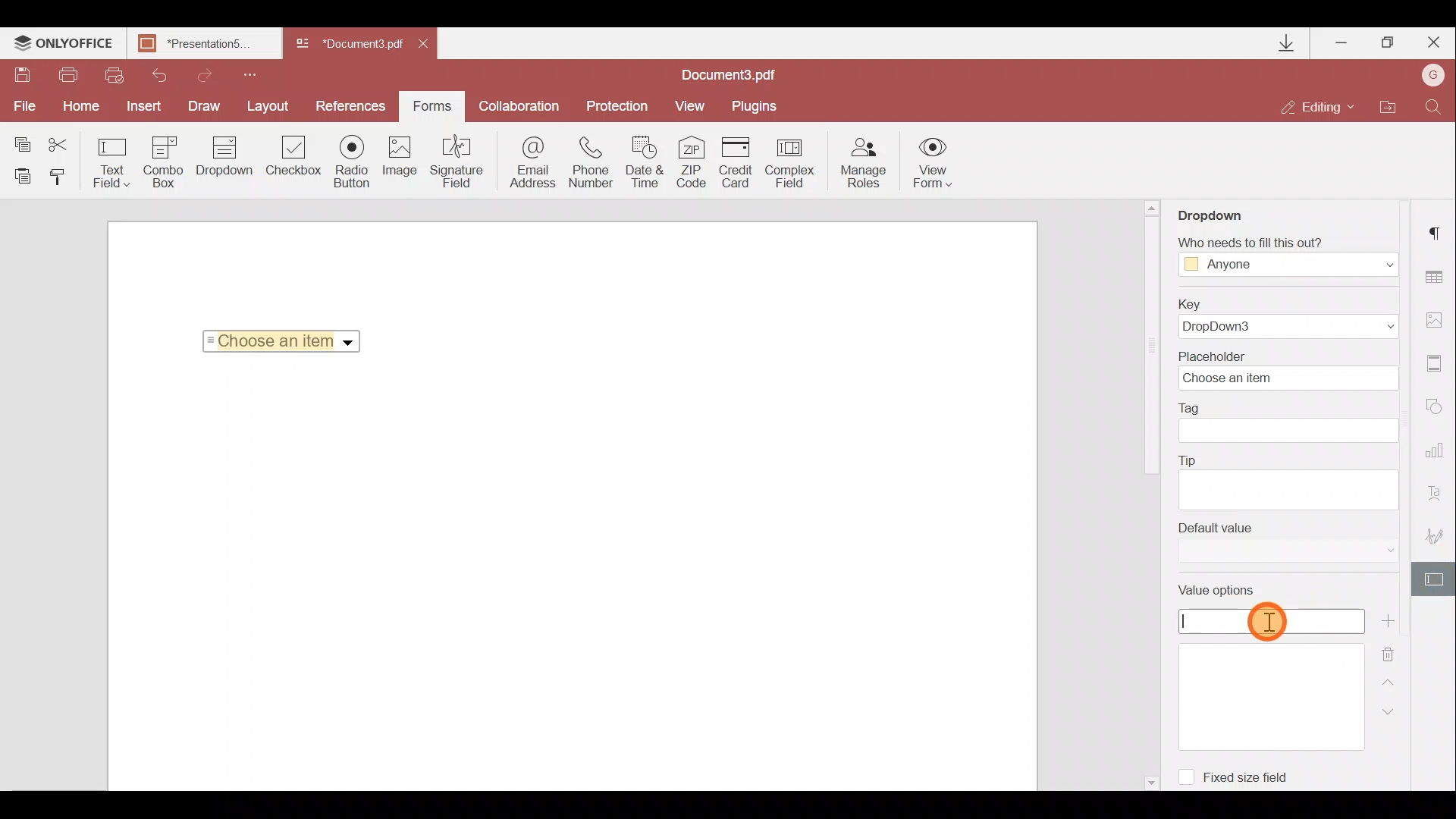 The width and height of the screenshot is (1456, 819). Describe the element at coordinates (1289, 43) in the screenshot. I see `Downloads` at that location.